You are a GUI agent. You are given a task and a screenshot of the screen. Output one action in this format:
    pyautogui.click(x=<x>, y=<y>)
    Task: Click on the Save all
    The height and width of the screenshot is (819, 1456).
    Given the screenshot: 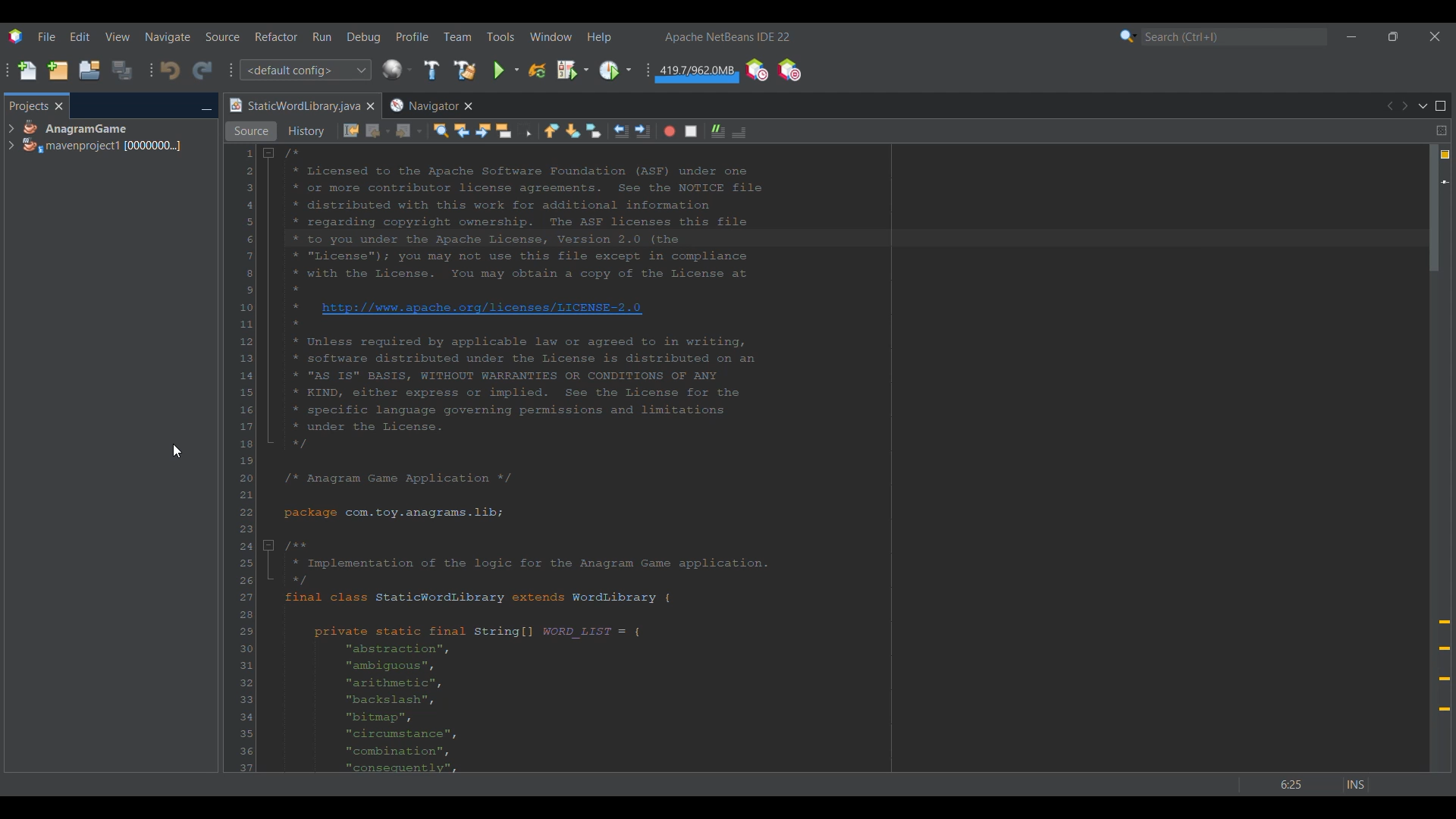 What is the action you would take?
    pyautogui.click(x=122, y=70)
    